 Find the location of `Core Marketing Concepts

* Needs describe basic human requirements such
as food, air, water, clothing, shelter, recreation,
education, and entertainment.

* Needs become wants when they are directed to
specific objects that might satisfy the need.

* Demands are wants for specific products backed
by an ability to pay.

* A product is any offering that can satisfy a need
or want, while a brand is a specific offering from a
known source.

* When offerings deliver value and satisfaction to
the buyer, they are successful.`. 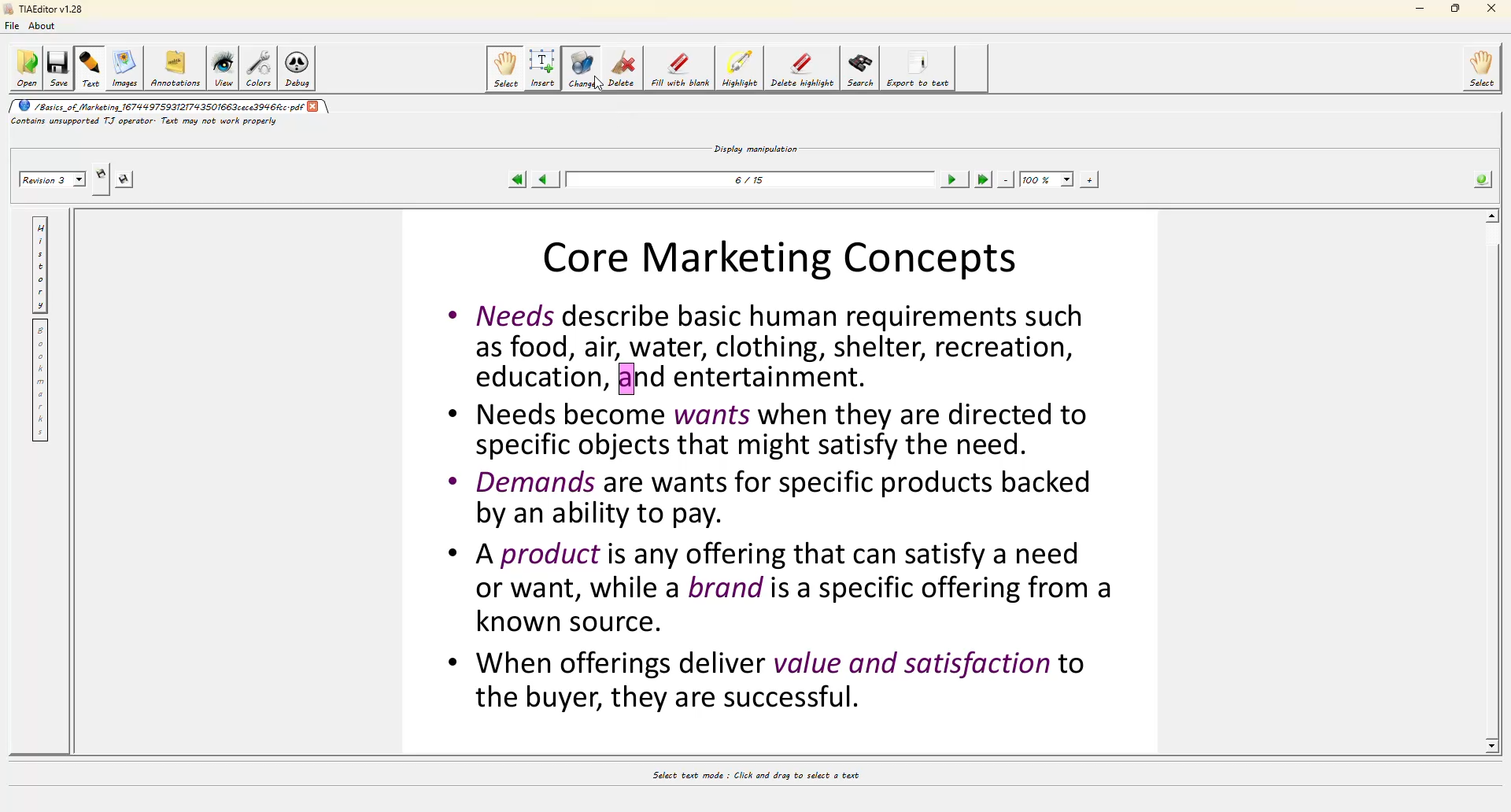

Core Marketing Concepts

* Needs describe basic human requirements such
as food, air, water, clothing, shelter, recreation,
education, and entertainment.

* Needs become wants when they are directed to
specific objects that might satisfy the need.

* Demands are wants for specific products backed
by an ability to pay.

* A product is any offering that can satisfy a need
or want, while a brand is a specific offering from a
known source.

* When offerings deliver value and satisfaction to
the buyer, they are successful. is located at coordinates (778, 482).